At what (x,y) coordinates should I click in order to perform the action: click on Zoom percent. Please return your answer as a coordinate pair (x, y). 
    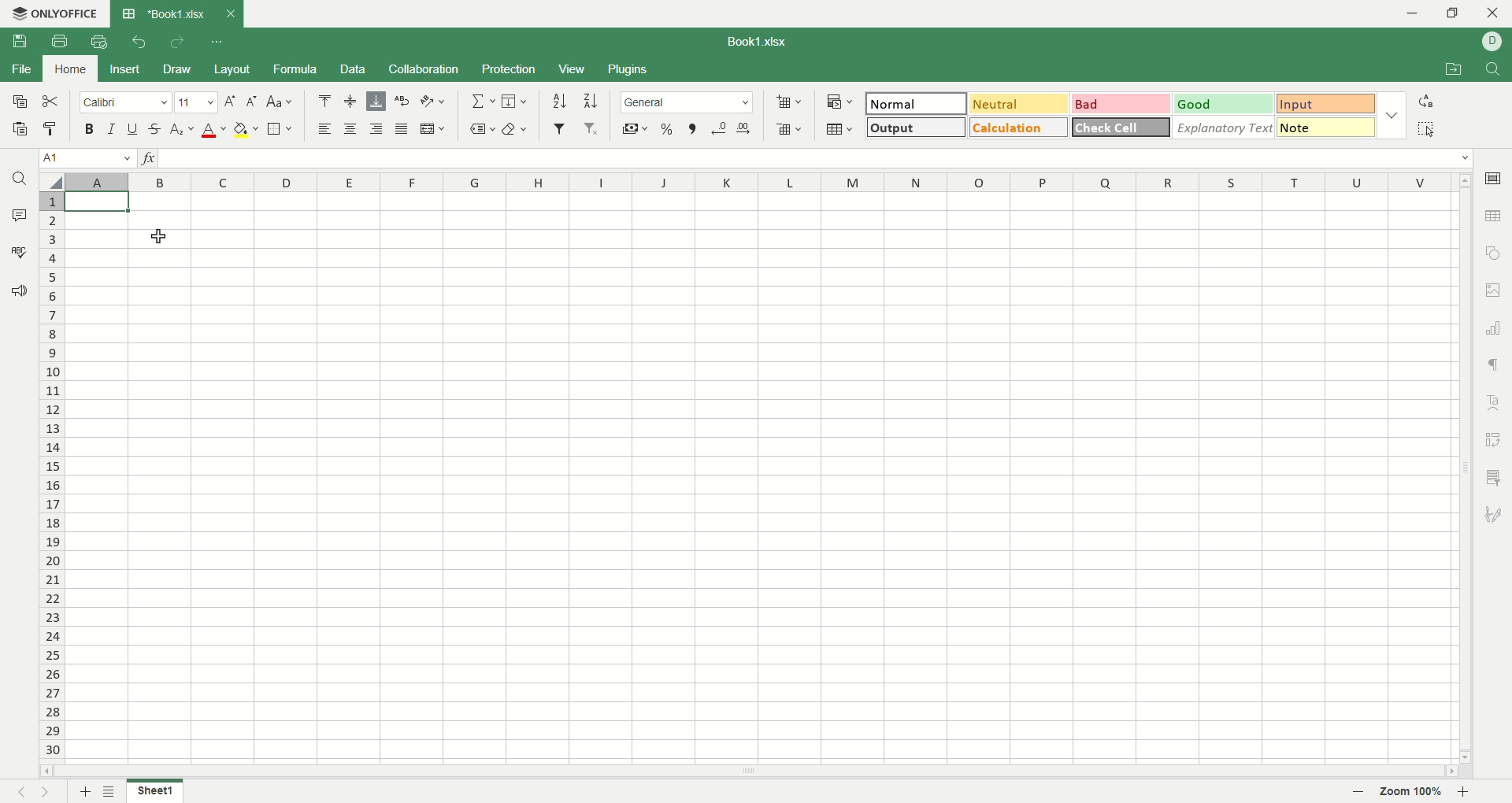
    Looking at the image, I should click on (1411, 793).